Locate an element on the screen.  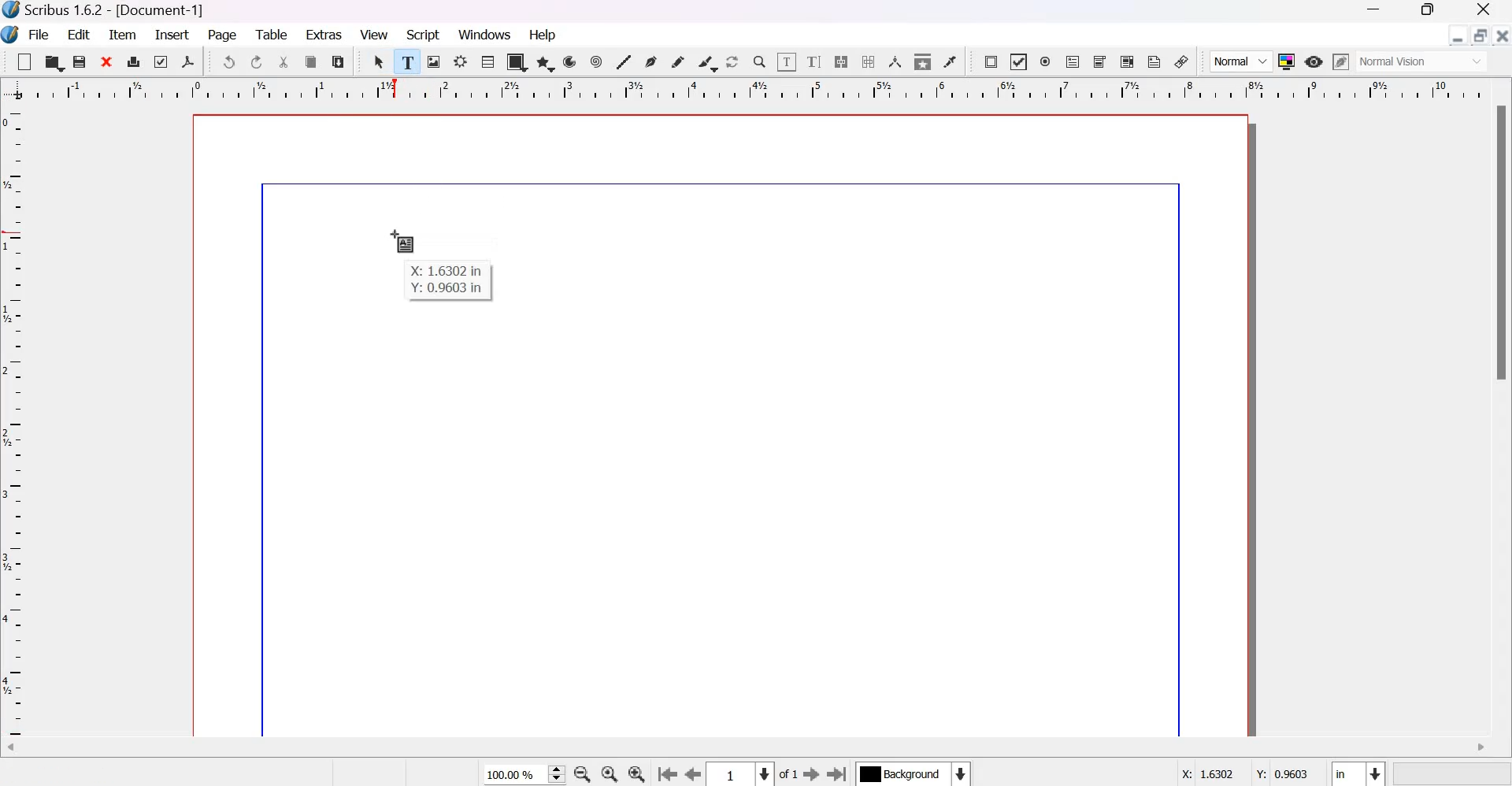
redo is located at coordinates (258, 62).